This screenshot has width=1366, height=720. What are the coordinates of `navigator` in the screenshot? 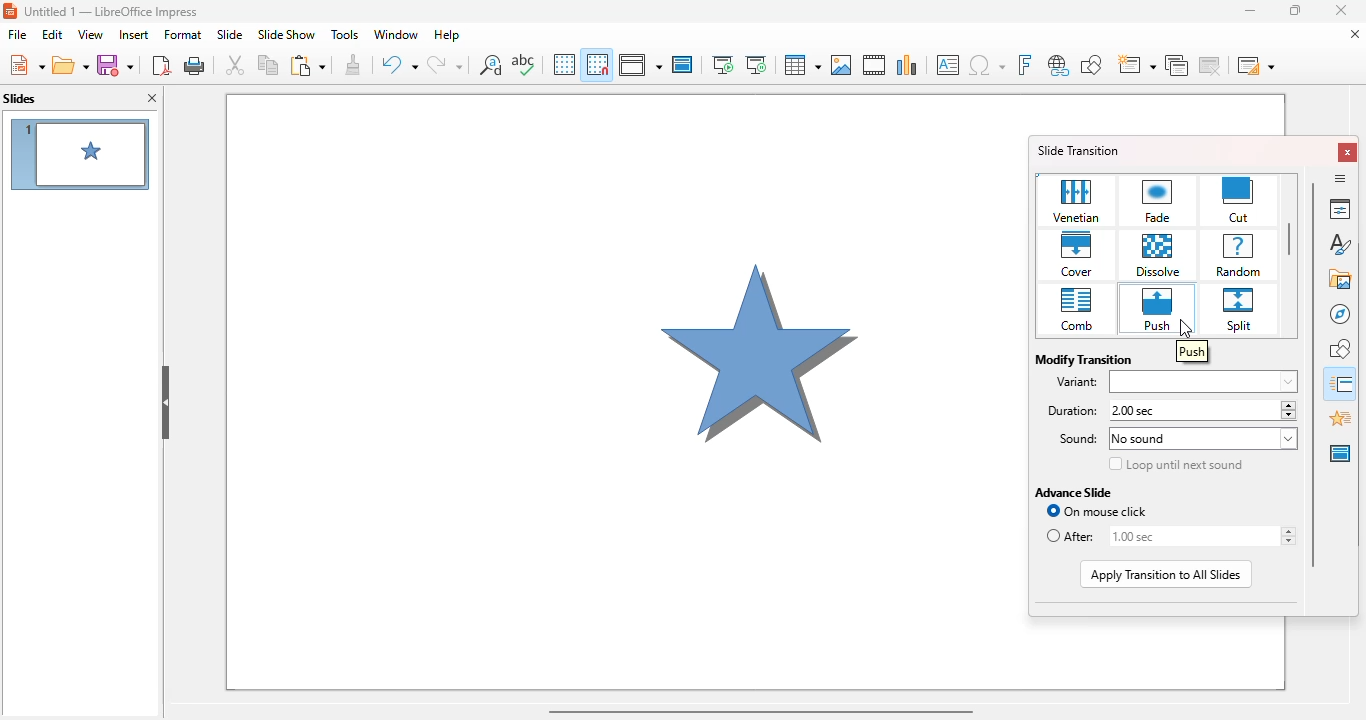 It's located at (1340, 314).